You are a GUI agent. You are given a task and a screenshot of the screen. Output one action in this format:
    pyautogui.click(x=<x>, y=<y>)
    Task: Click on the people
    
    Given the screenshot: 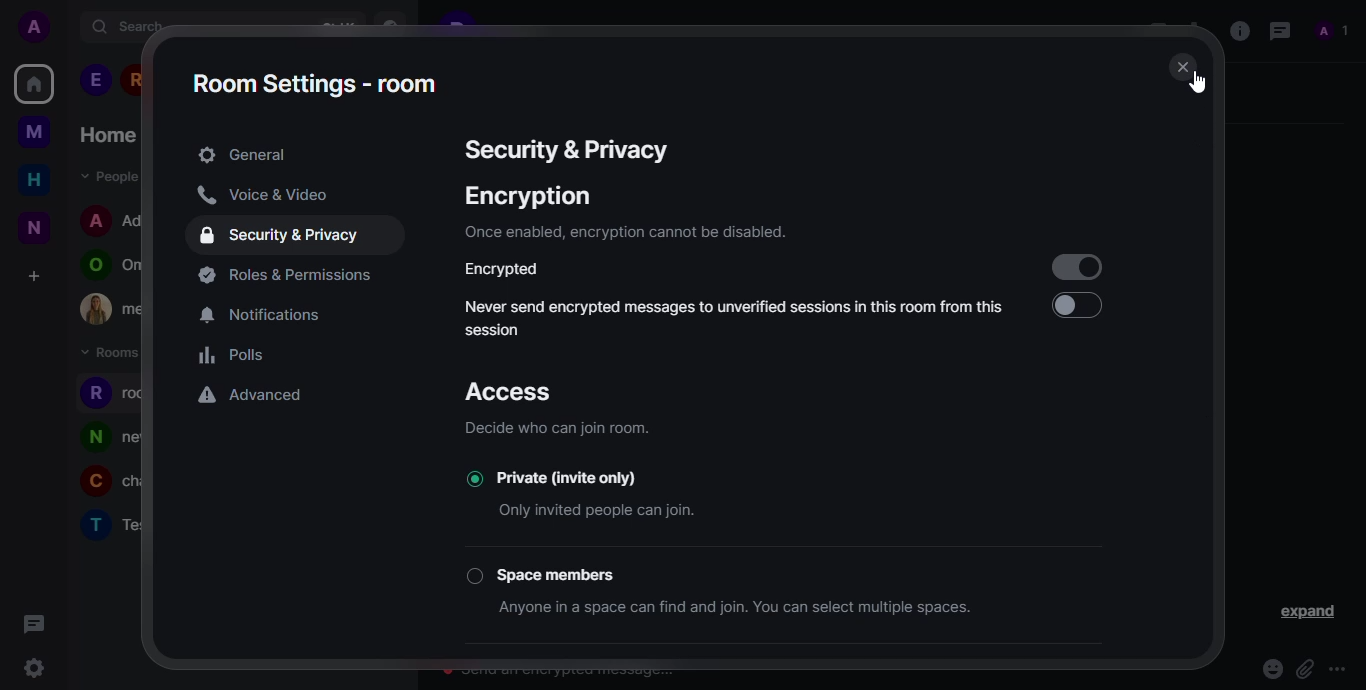 What is the action you would take?
    pyautogui.click(x=106, y=175)
    